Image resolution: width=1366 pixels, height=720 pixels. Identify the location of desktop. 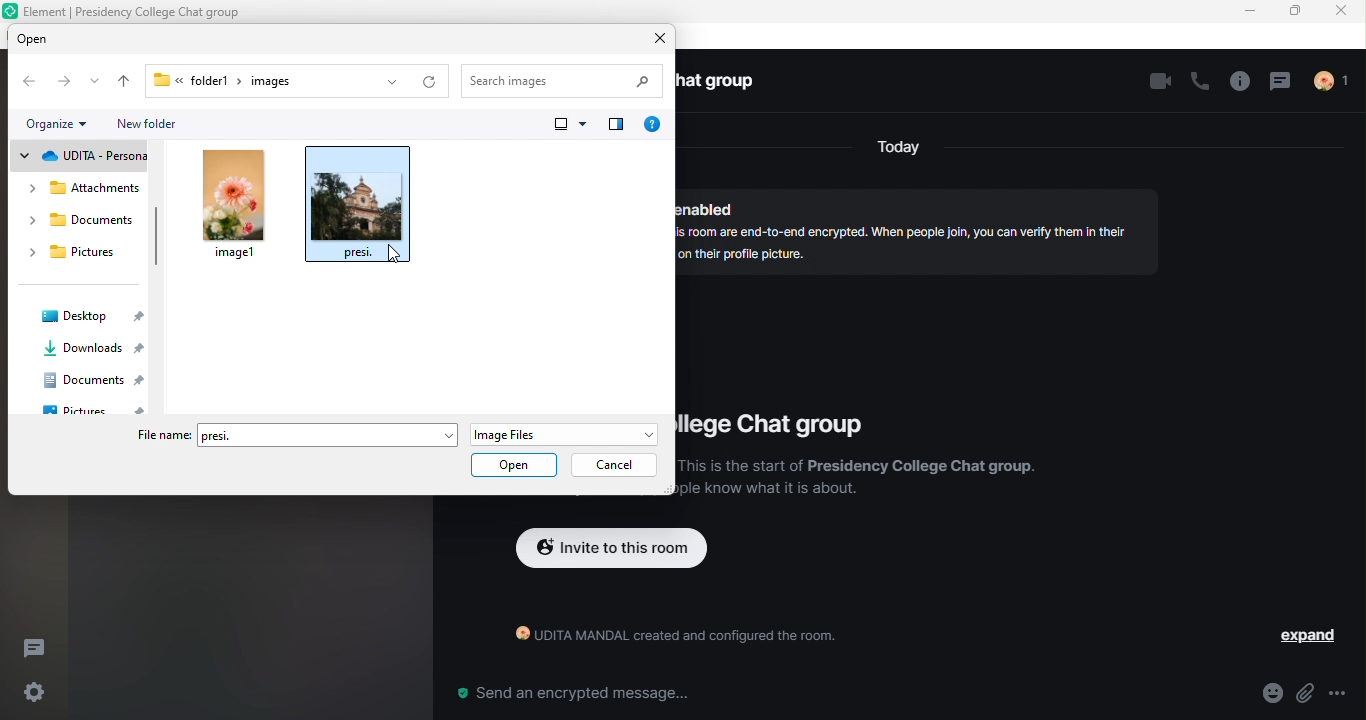
(86, 318).